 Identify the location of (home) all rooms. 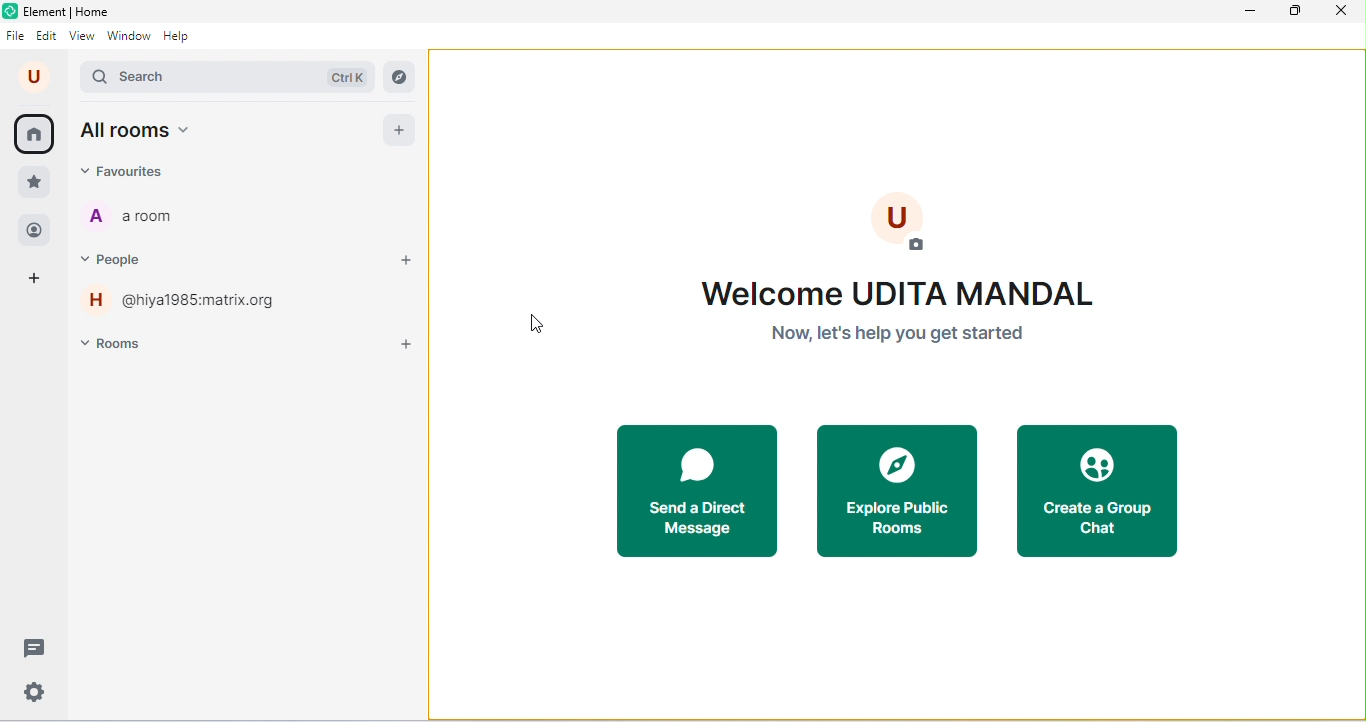
(35, 134).